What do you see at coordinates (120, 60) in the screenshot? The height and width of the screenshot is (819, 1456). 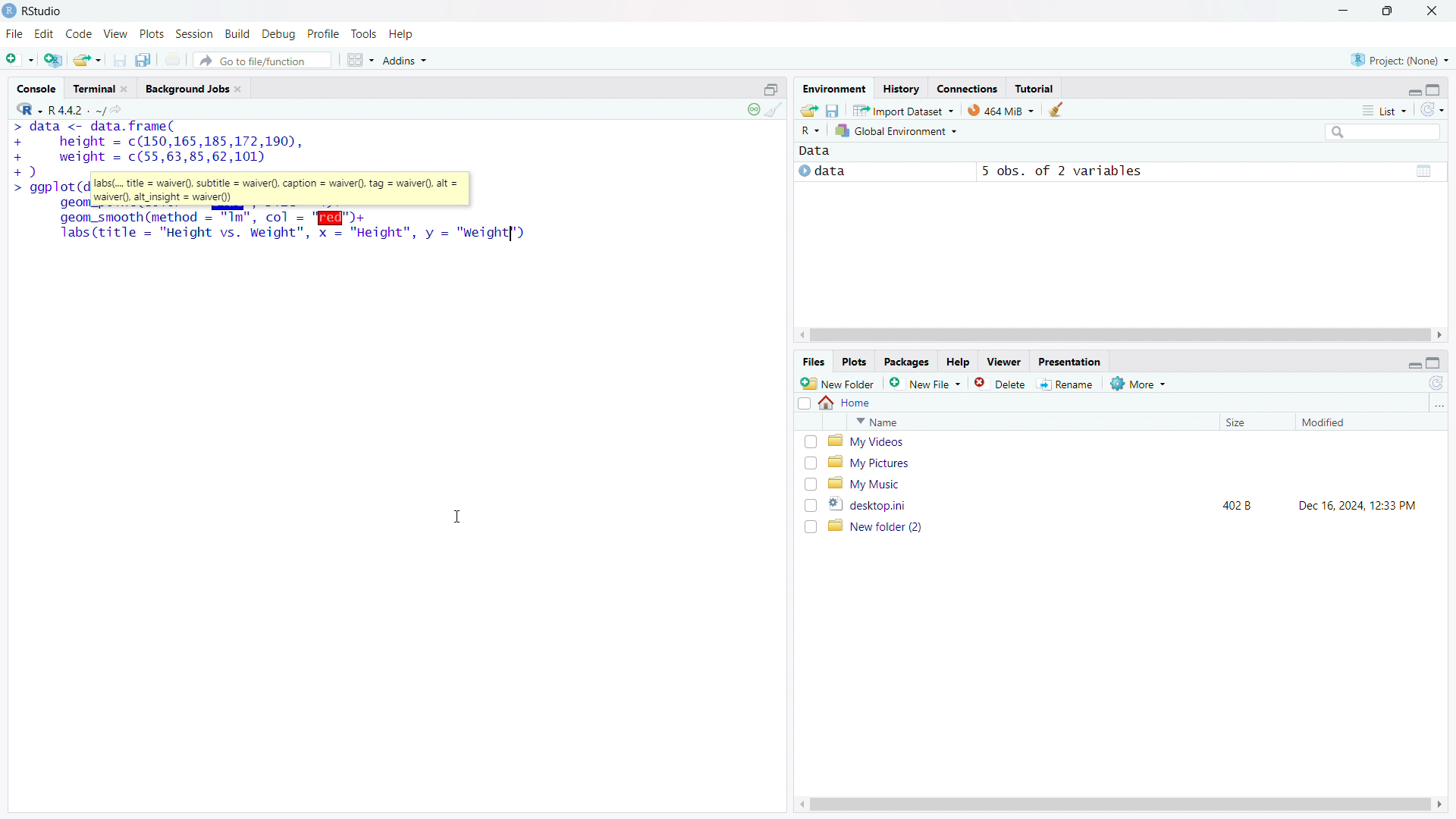 I see `save` at bounding box center [120, 60].